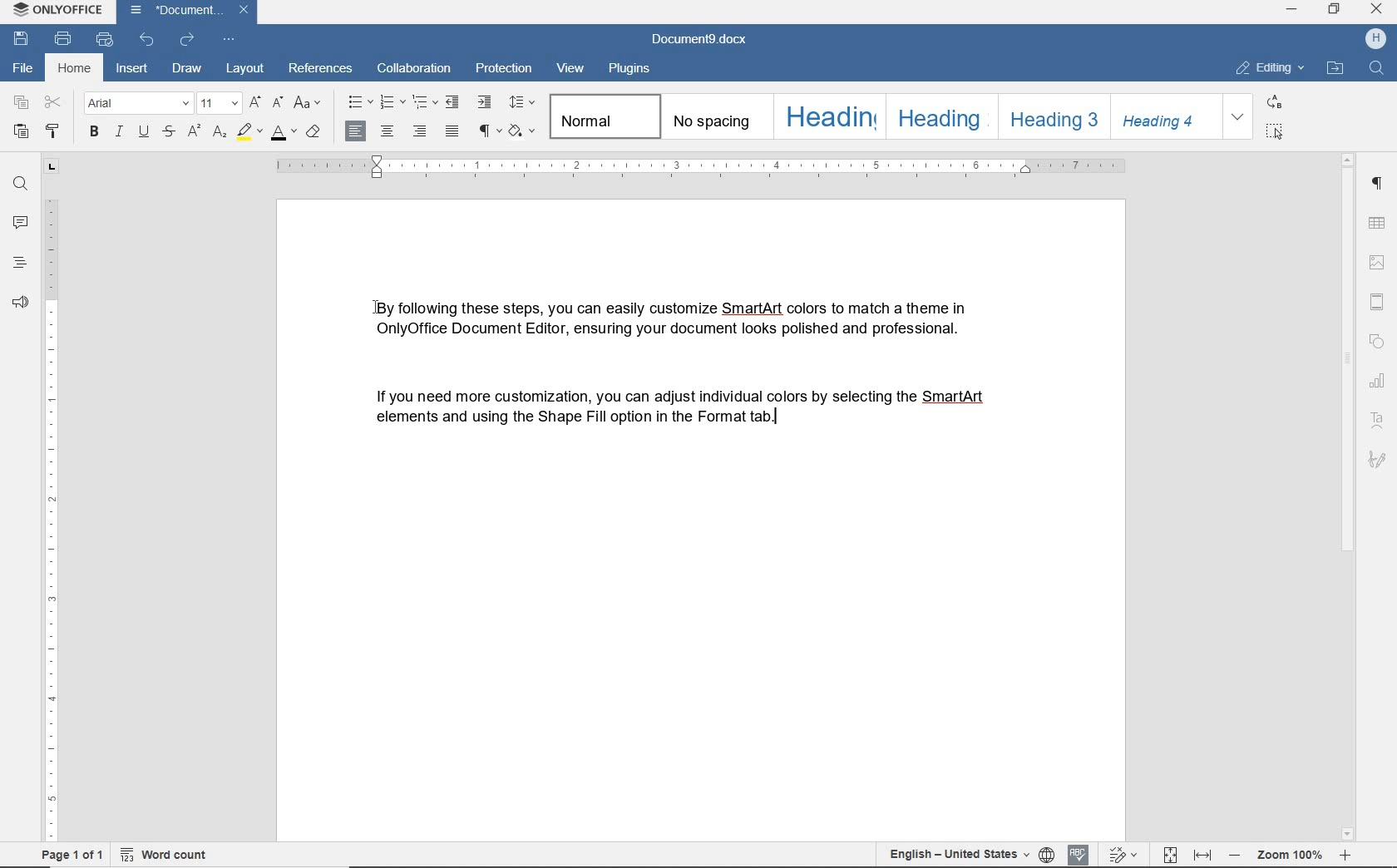 Image resolution: width=1397 pixels, height=868 pixels. What do you see at coordinates (93, 131) in the screenshot?
I see `bold` at bounding box center [93, 131].